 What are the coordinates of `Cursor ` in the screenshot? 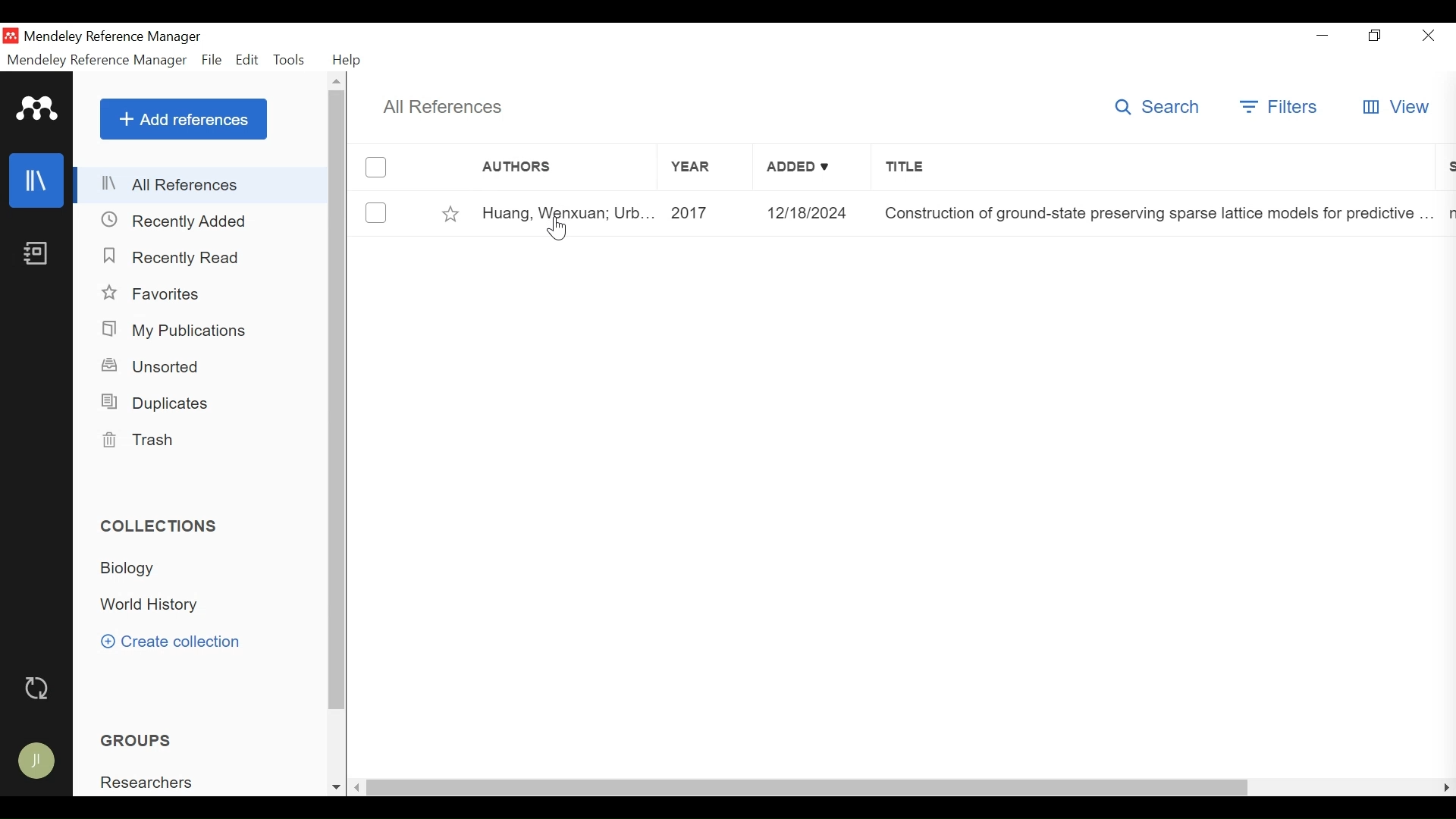 It's located at (557, 227).